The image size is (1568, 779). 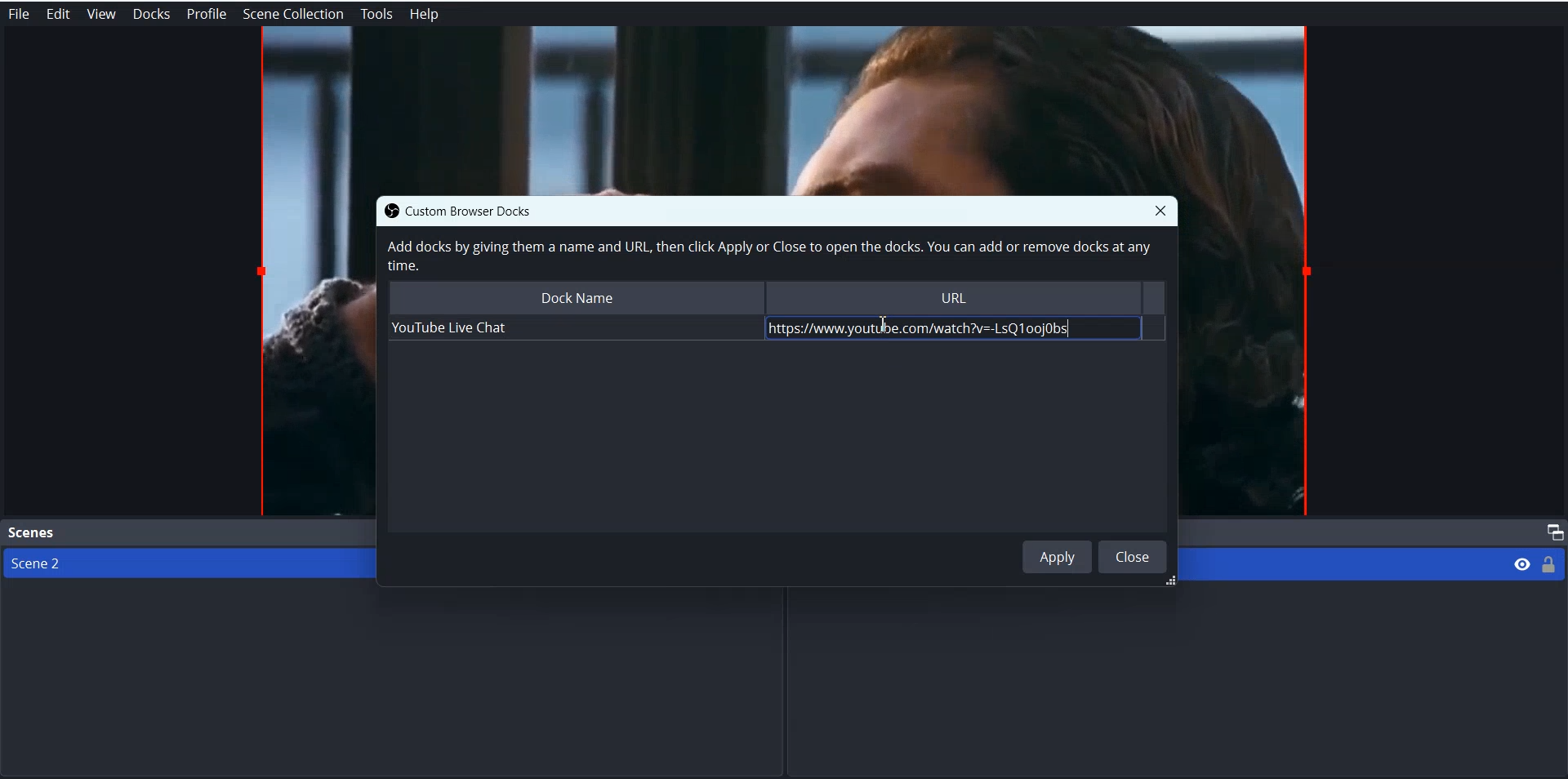 I want to click on Dock Name, so click(x=574, y=296).